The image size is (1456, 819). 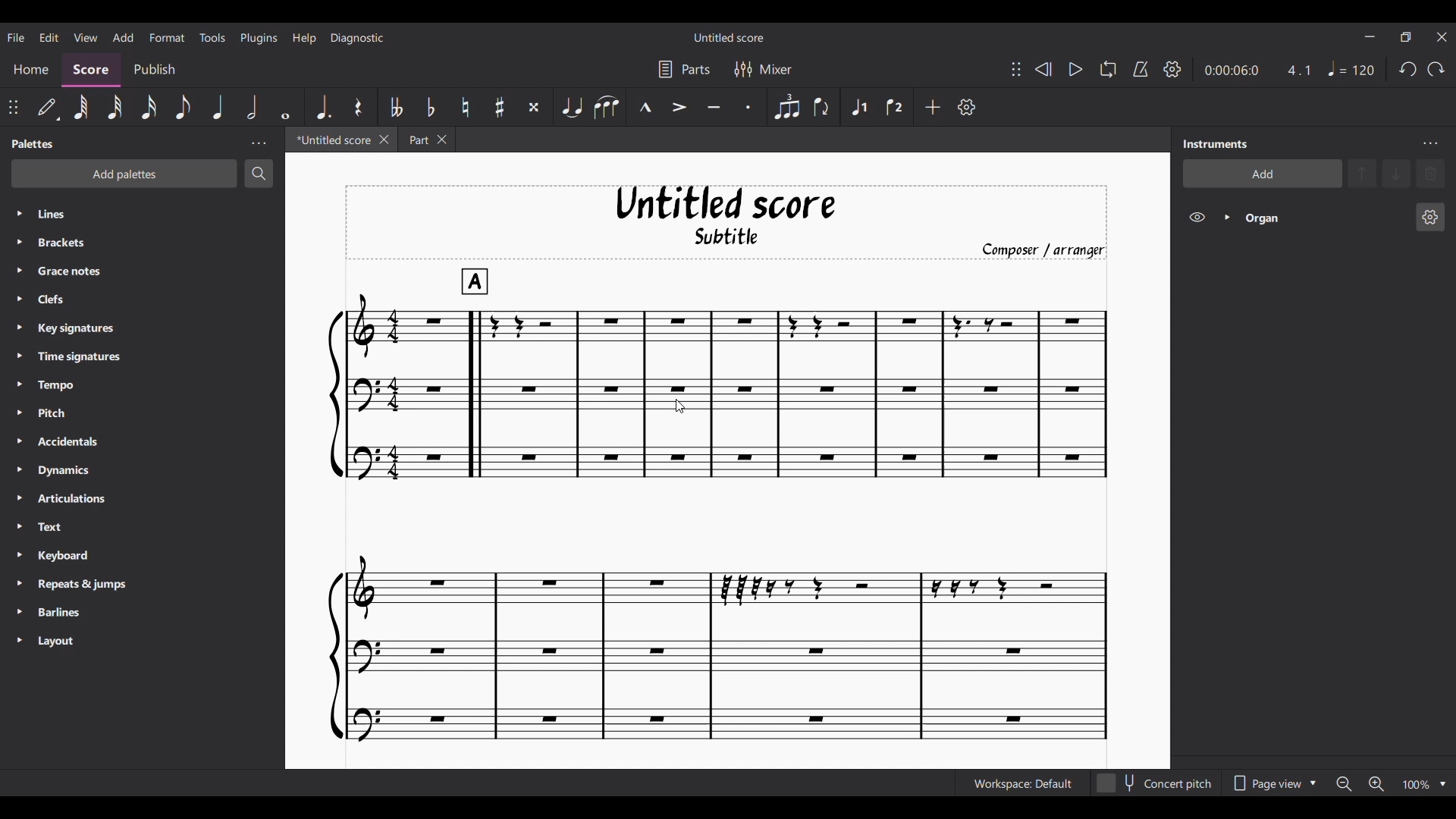 What do you see at coordinates (331, 140) in the screenshot?
I see `Current tab` at bounding box center [331, 140].